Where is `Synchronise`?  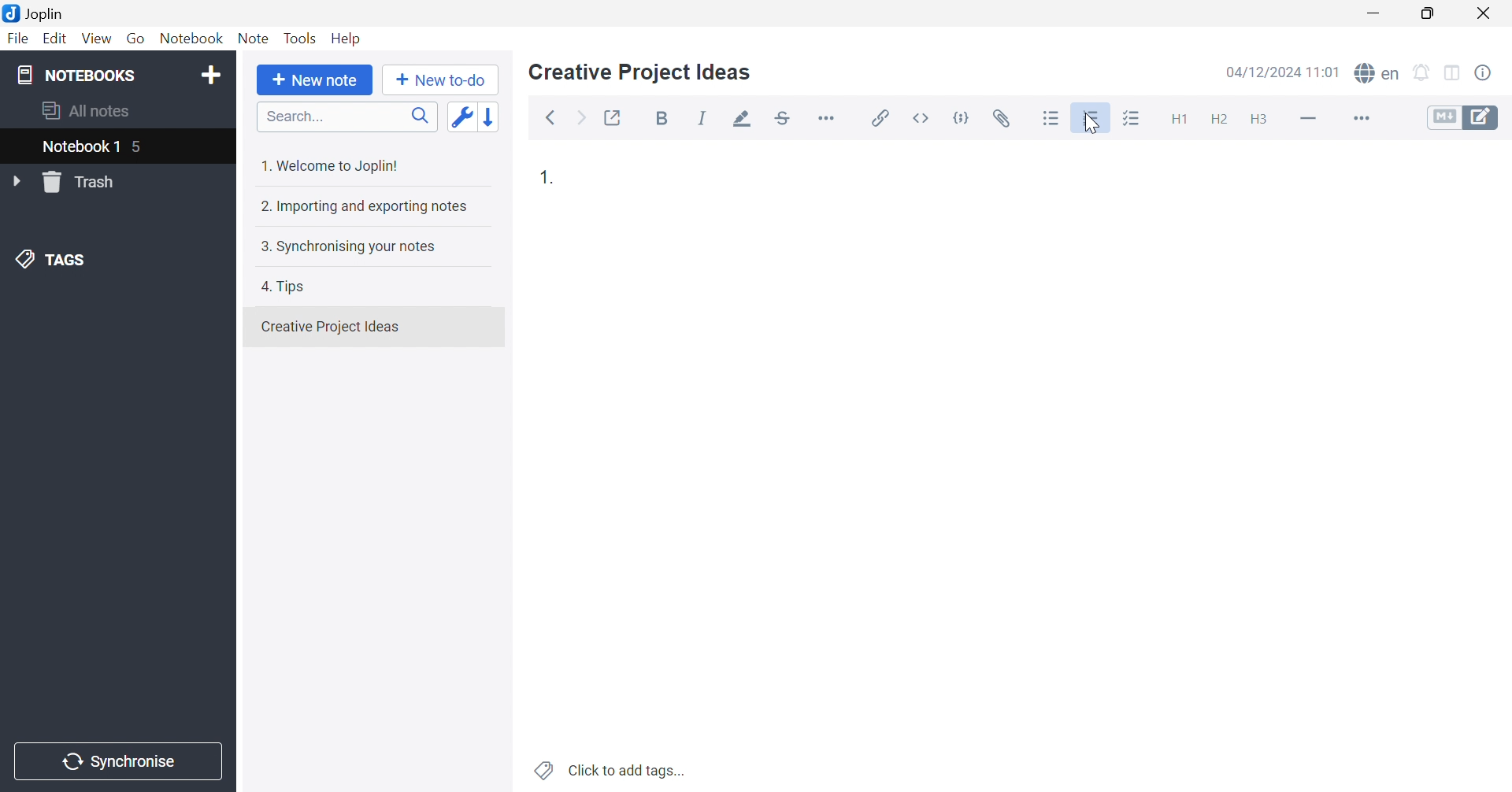
Synchronise is located at coordinates (120, 762).